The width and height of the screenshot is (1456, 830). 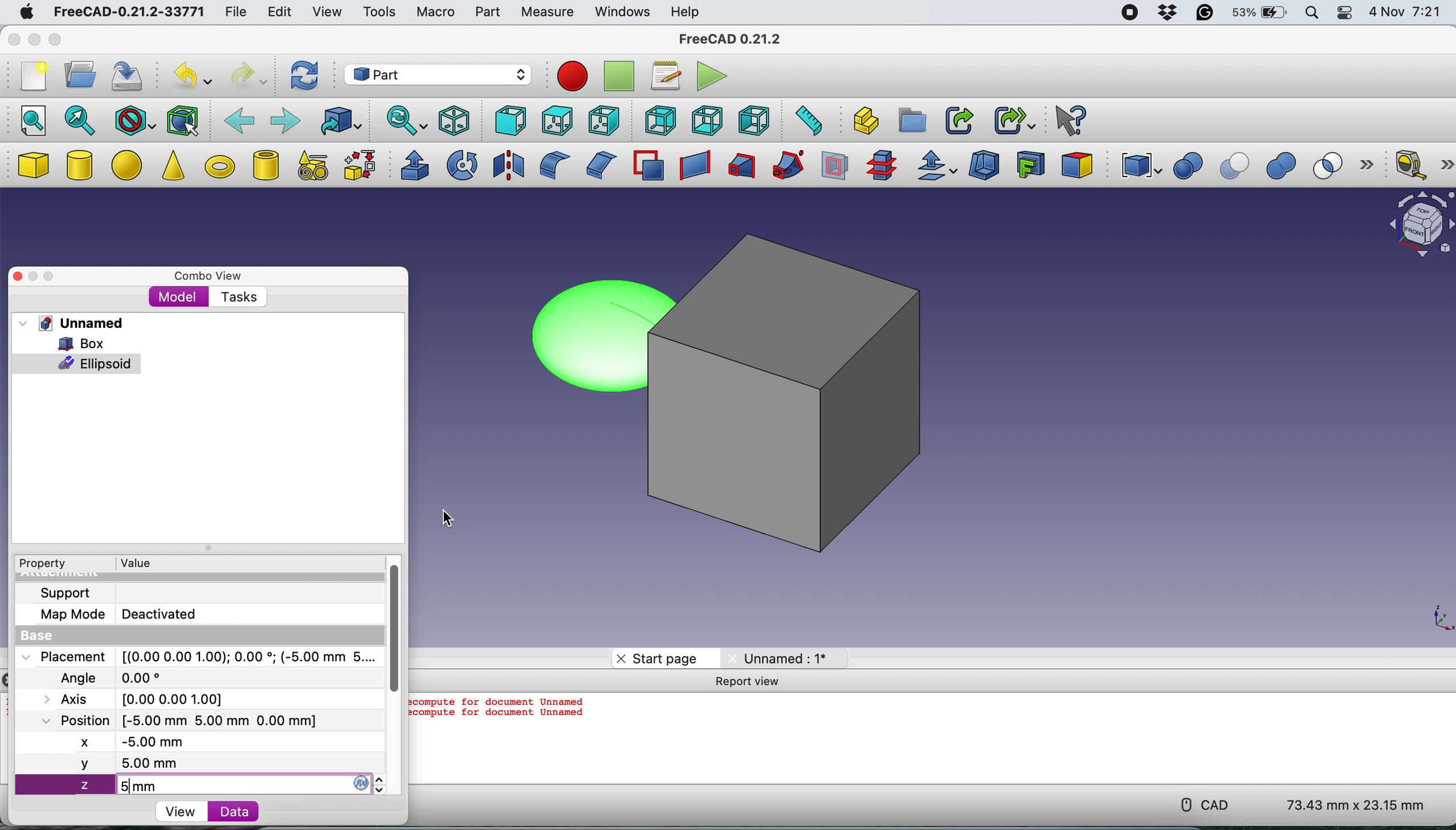 What do you see at coordinates (599, 164) in the screenshot?
I see `chamfer` at bounding box center [599, 164].